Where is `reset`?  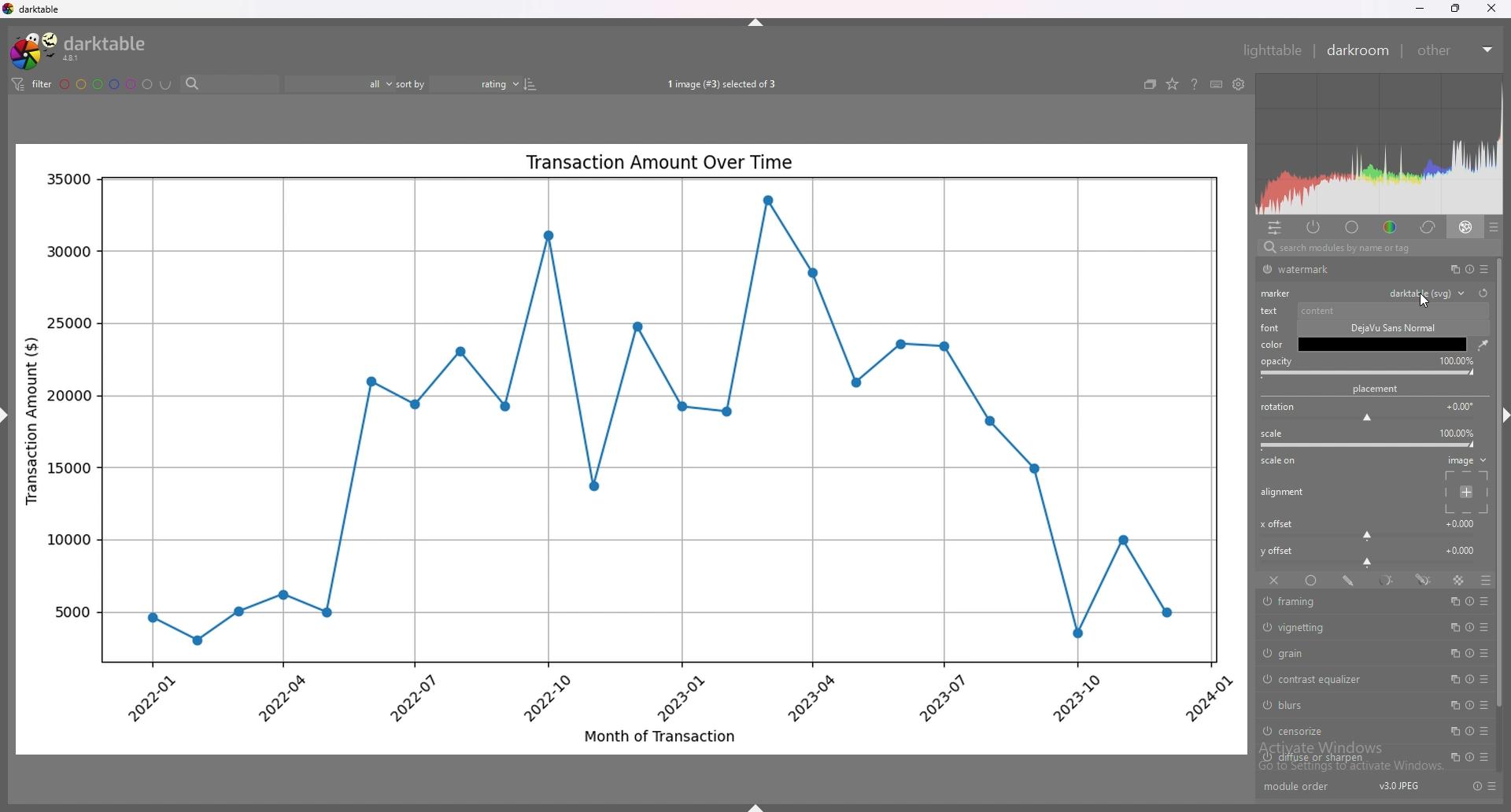 reset is located at coordinates (1469, 628).